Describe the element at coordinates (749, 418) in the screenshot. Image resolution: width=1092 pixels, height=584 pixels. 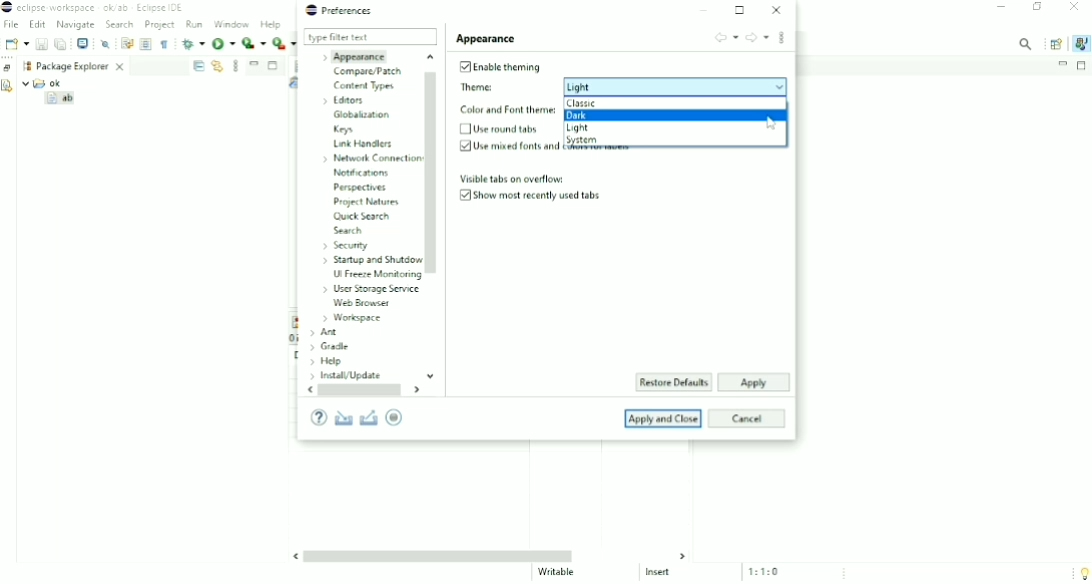
I see `Cancel` at that location.